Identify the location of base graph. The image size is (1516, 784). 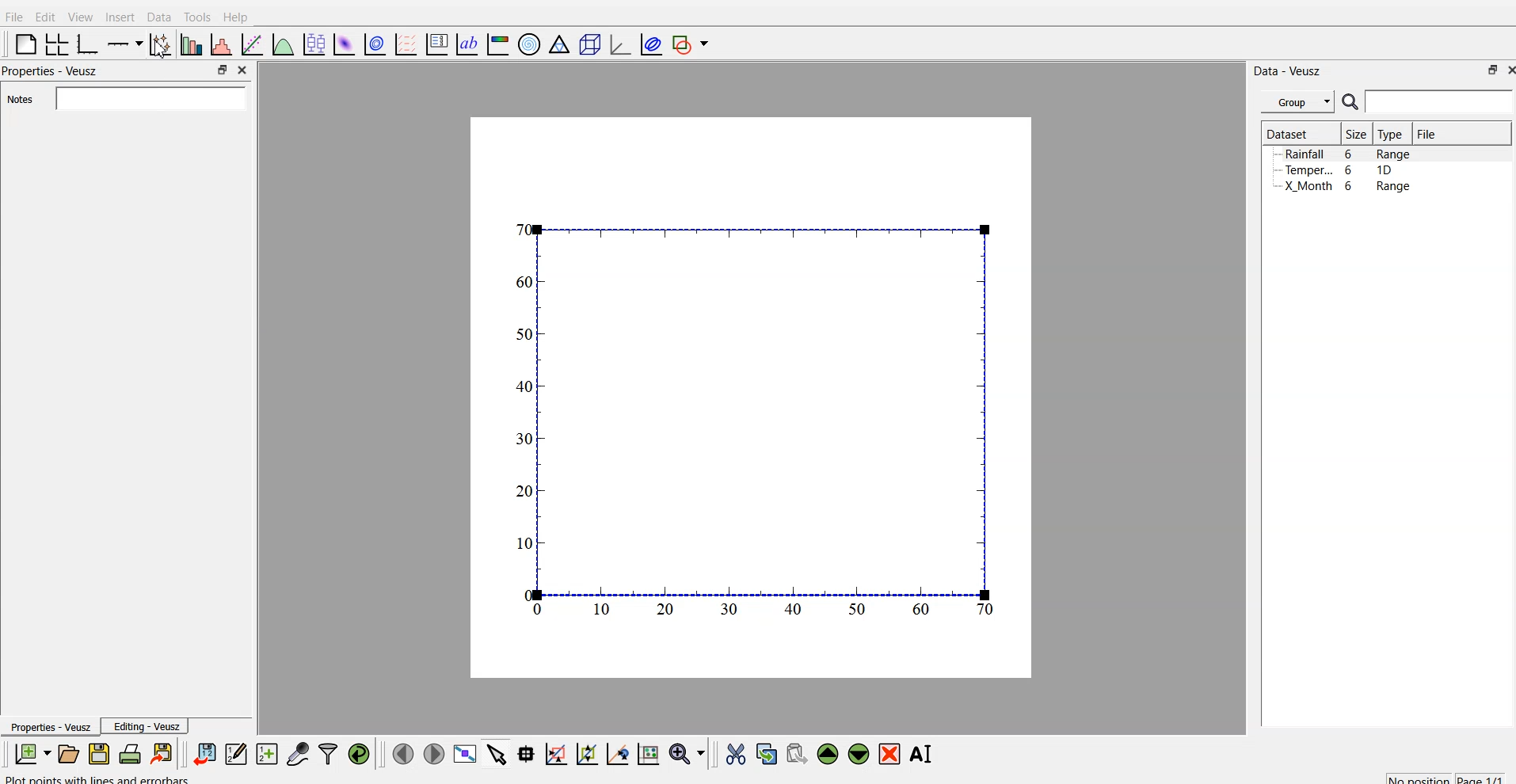
(88, 44).